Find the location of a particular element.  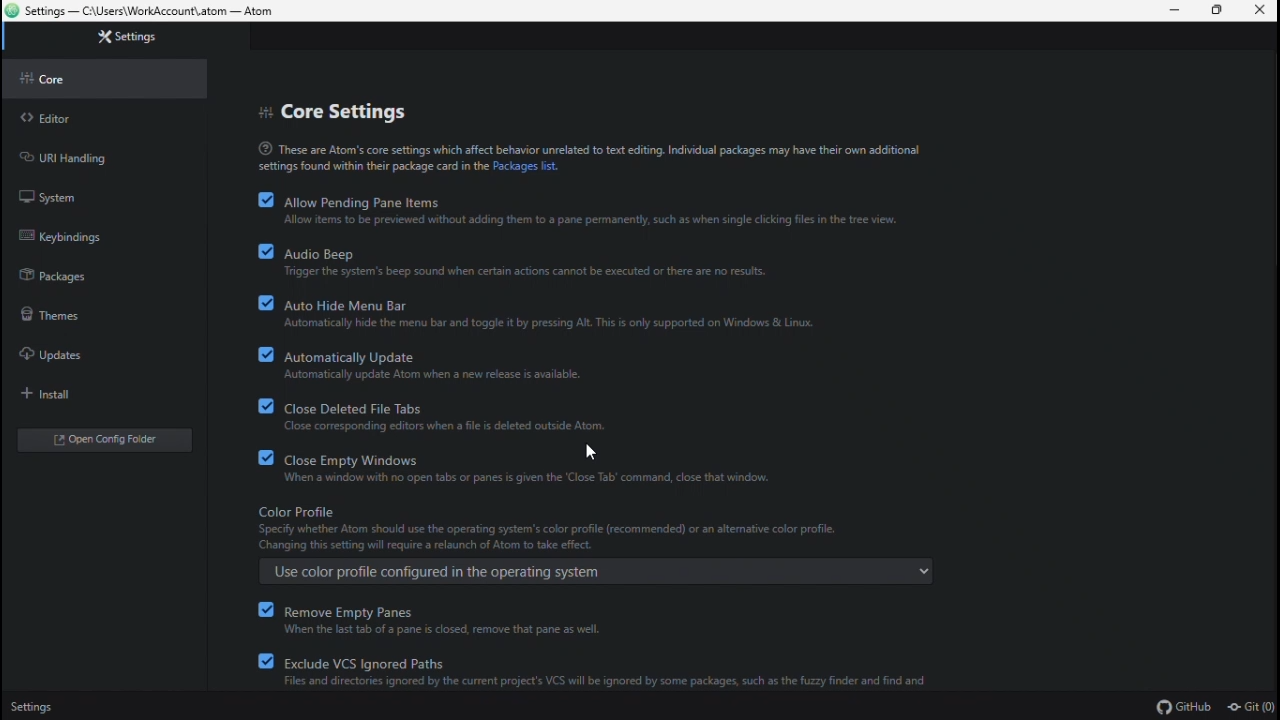

exclude VCS ignored paths is located at coordinates (615, 668).